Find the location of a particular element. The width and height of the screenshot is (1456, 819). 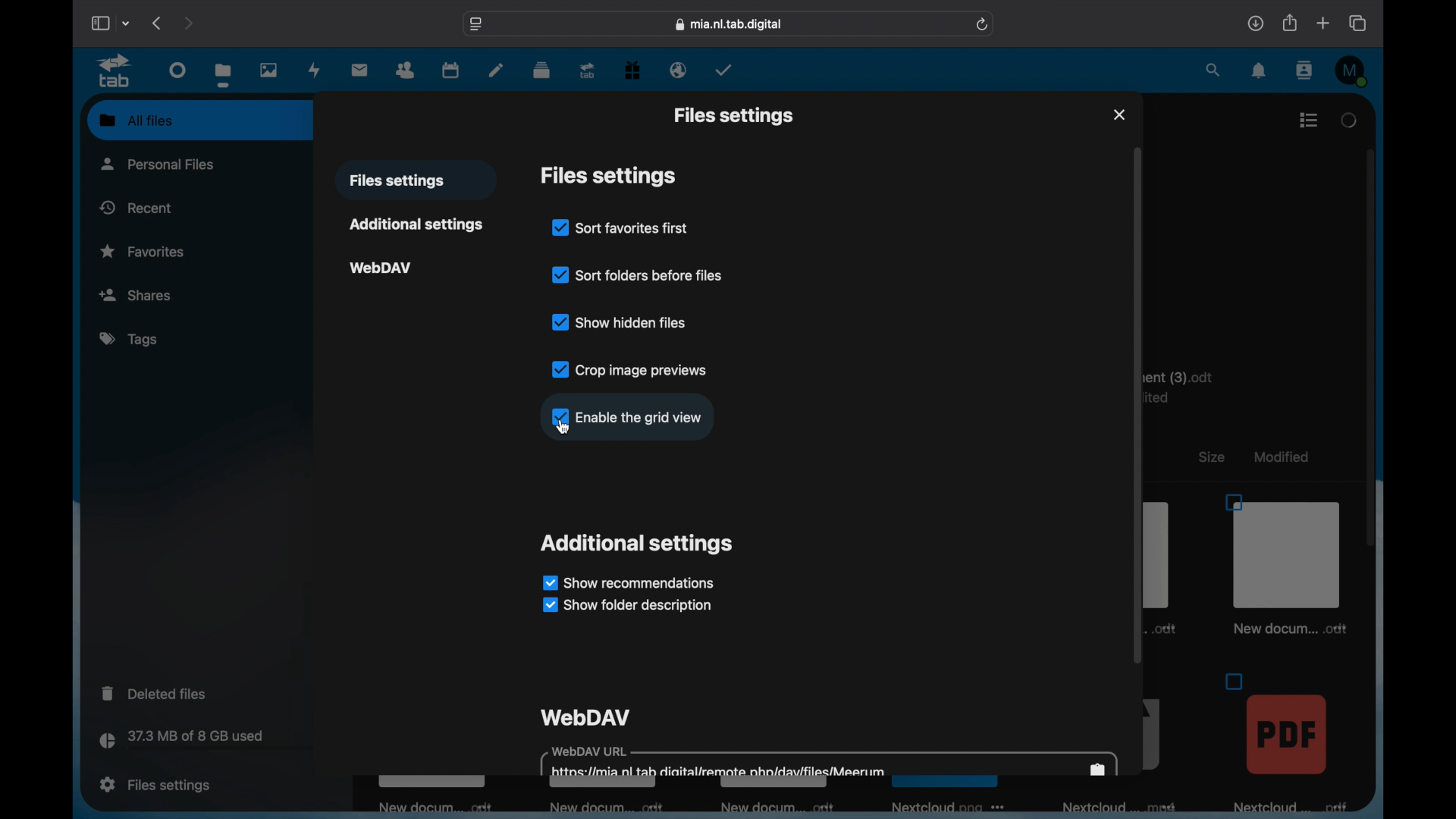

storage is located at coordinates (214, 742).